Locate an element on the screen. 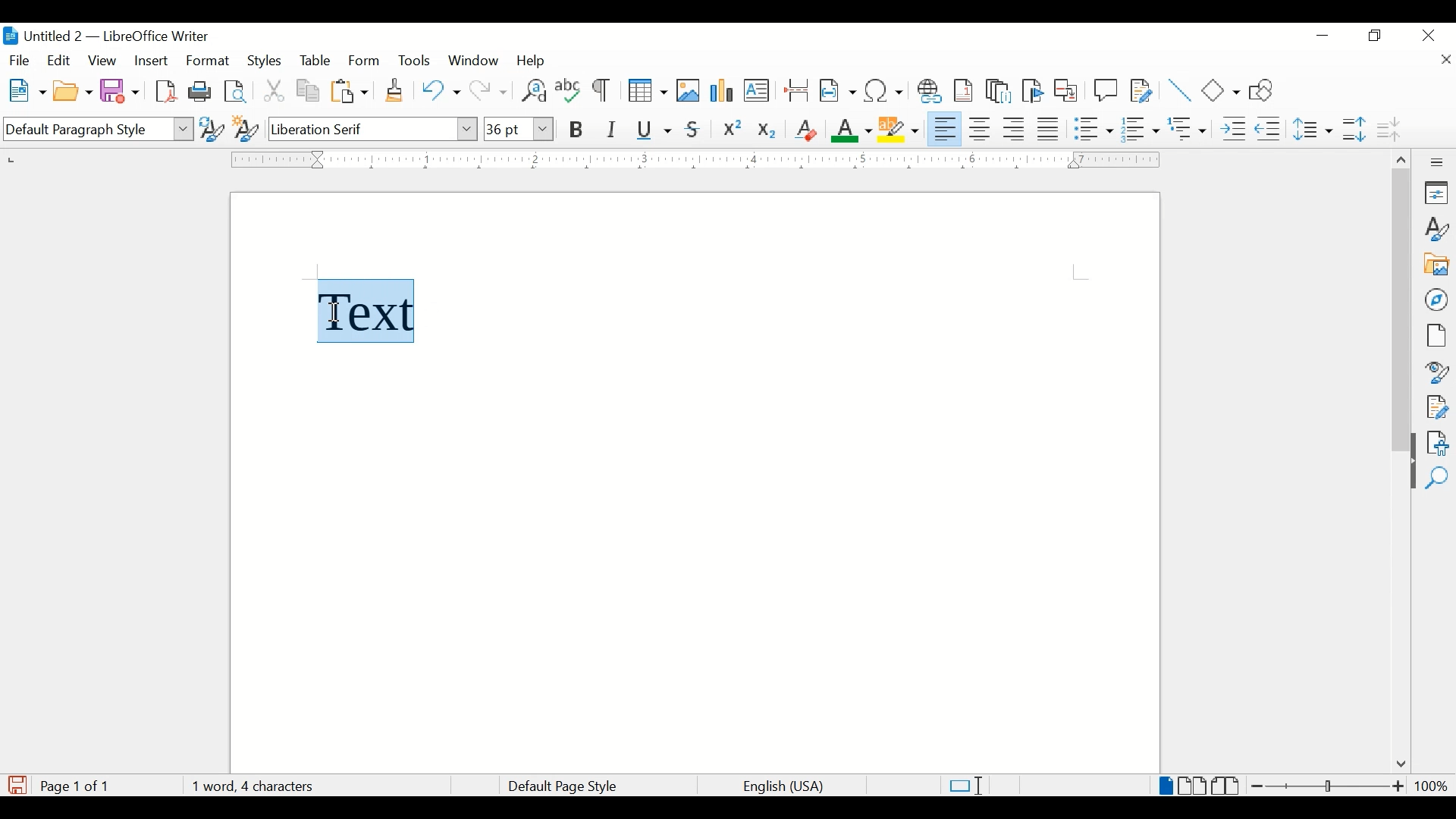 This screenshot has width=1456, height=819. save document is located at coordinates (17, 785).